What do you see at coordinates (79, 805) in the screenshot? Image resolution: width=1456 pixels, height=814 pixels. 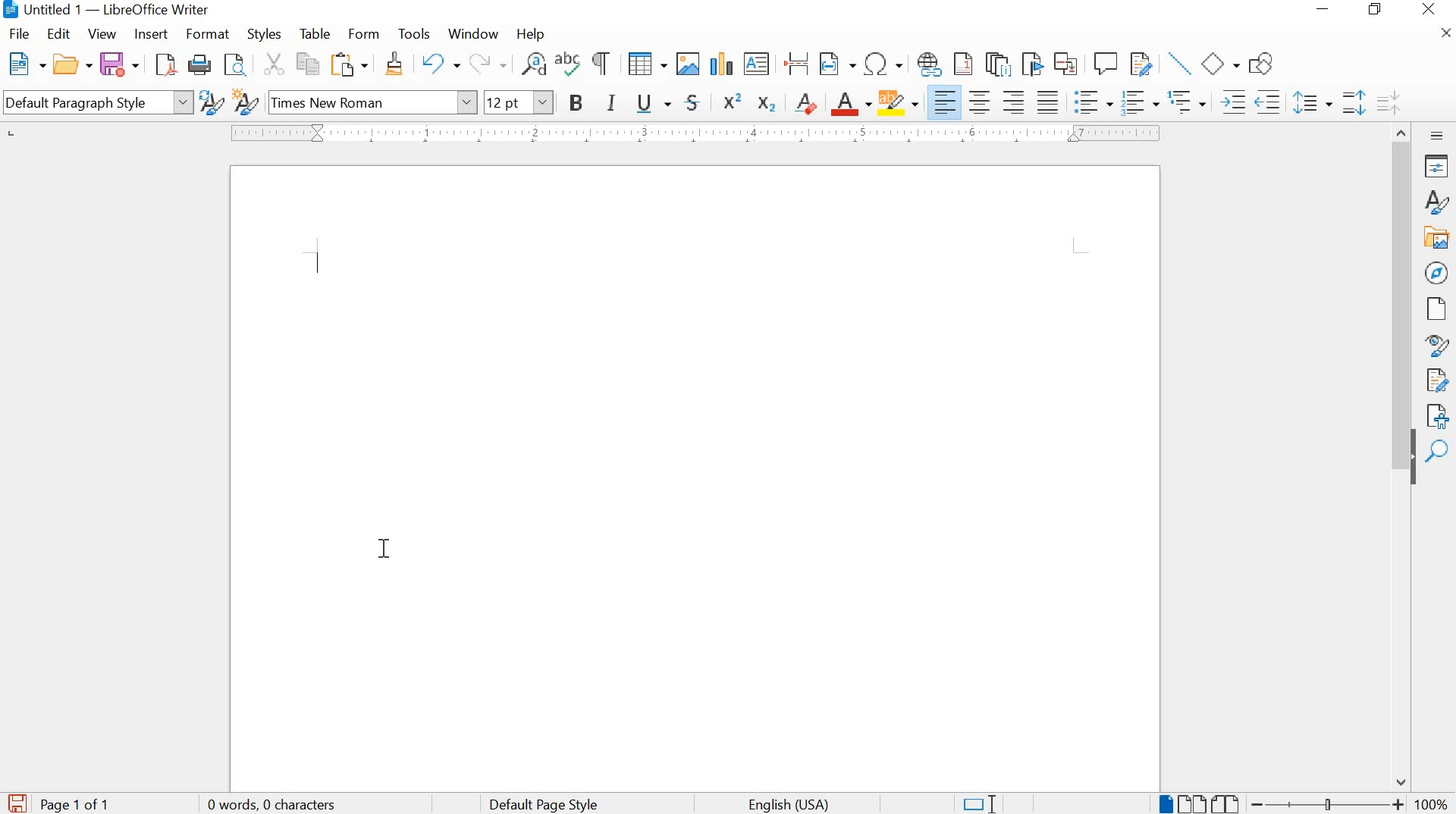 I see `PAGE 1 OF 1` at bounding box center [79, 805].